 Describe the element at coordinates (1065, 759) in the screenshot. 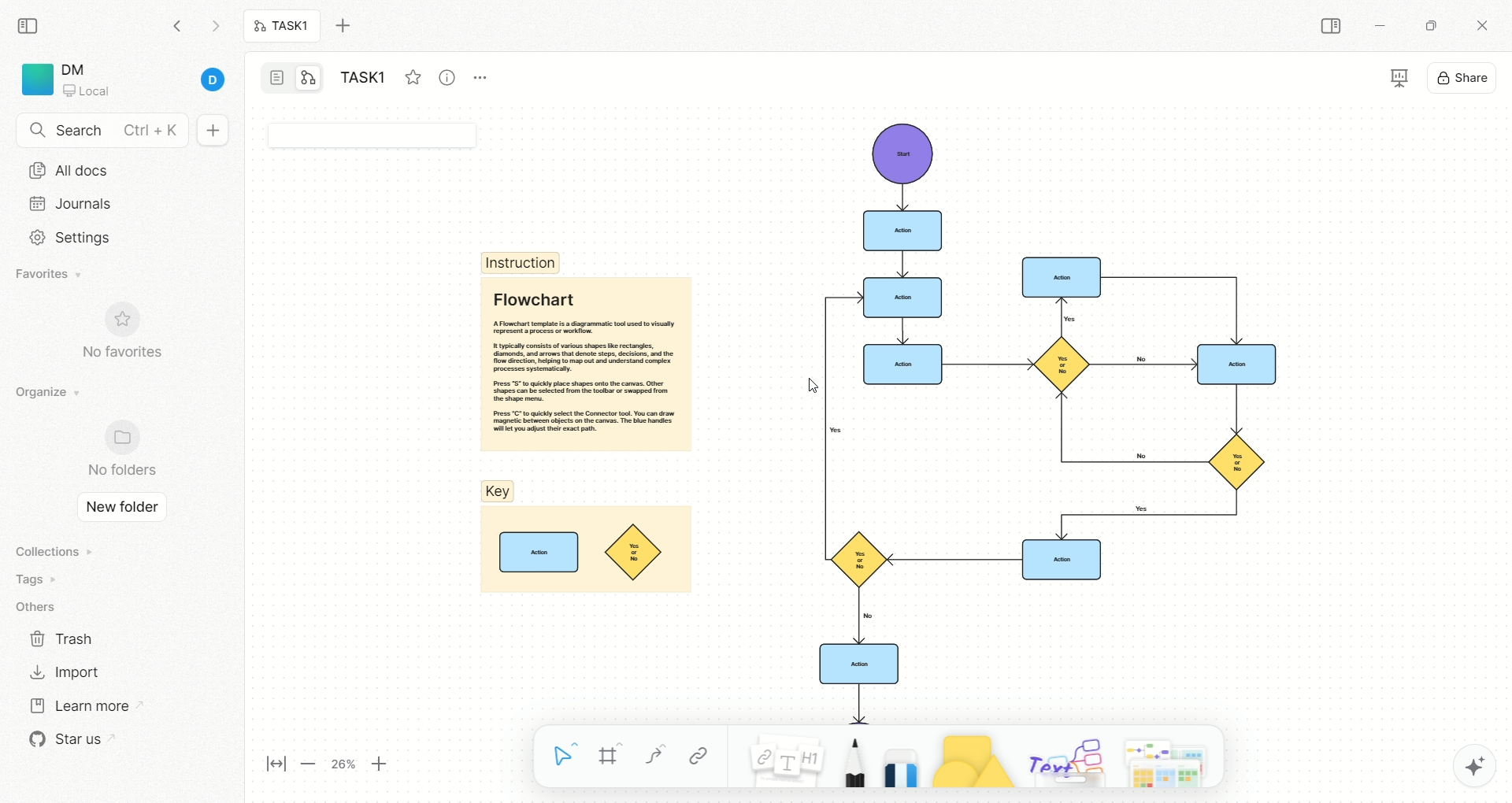

I see `text` at that location.